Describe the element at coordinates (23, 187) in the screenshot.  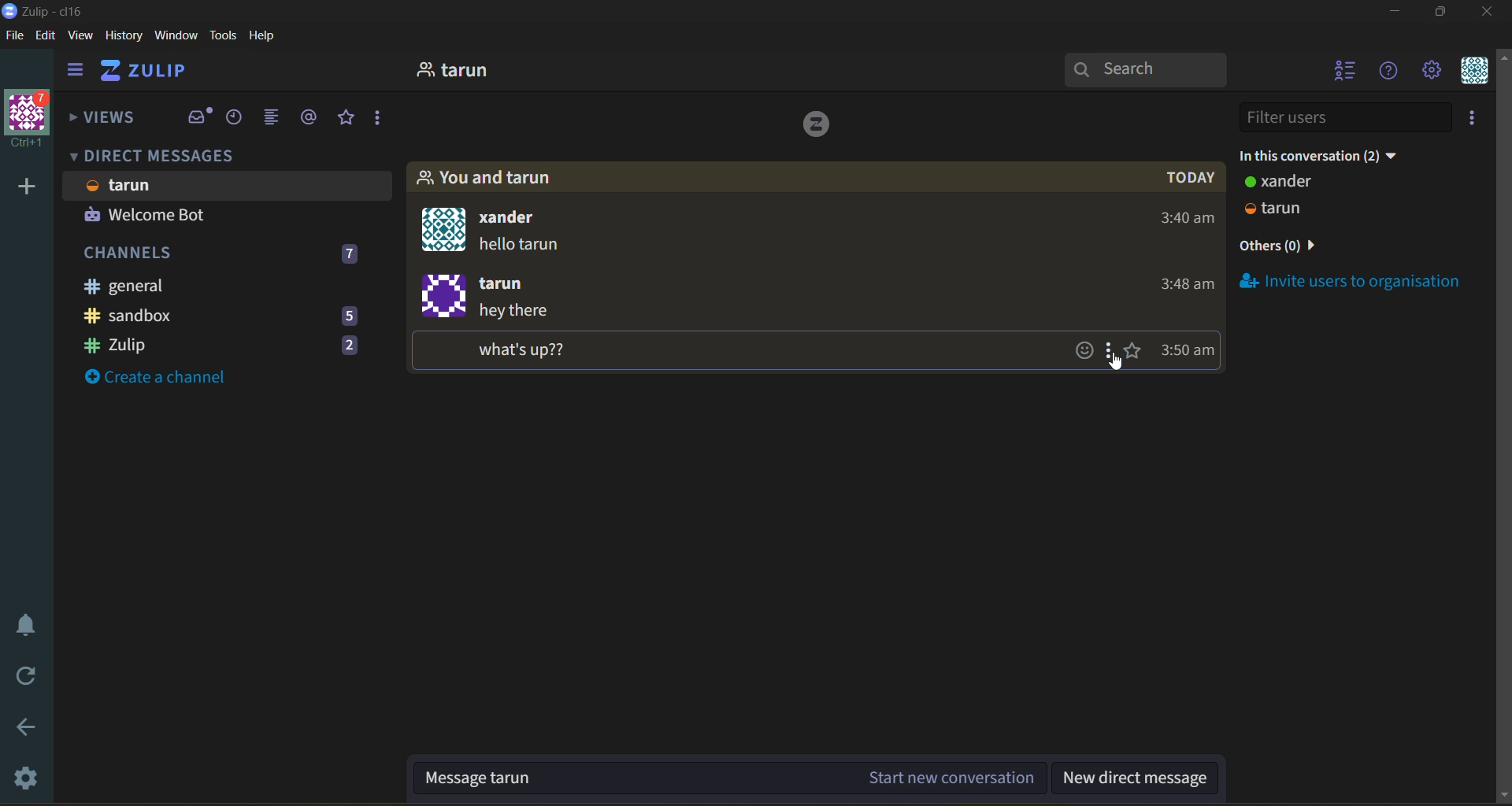
I see `add a new organisation` at that location.